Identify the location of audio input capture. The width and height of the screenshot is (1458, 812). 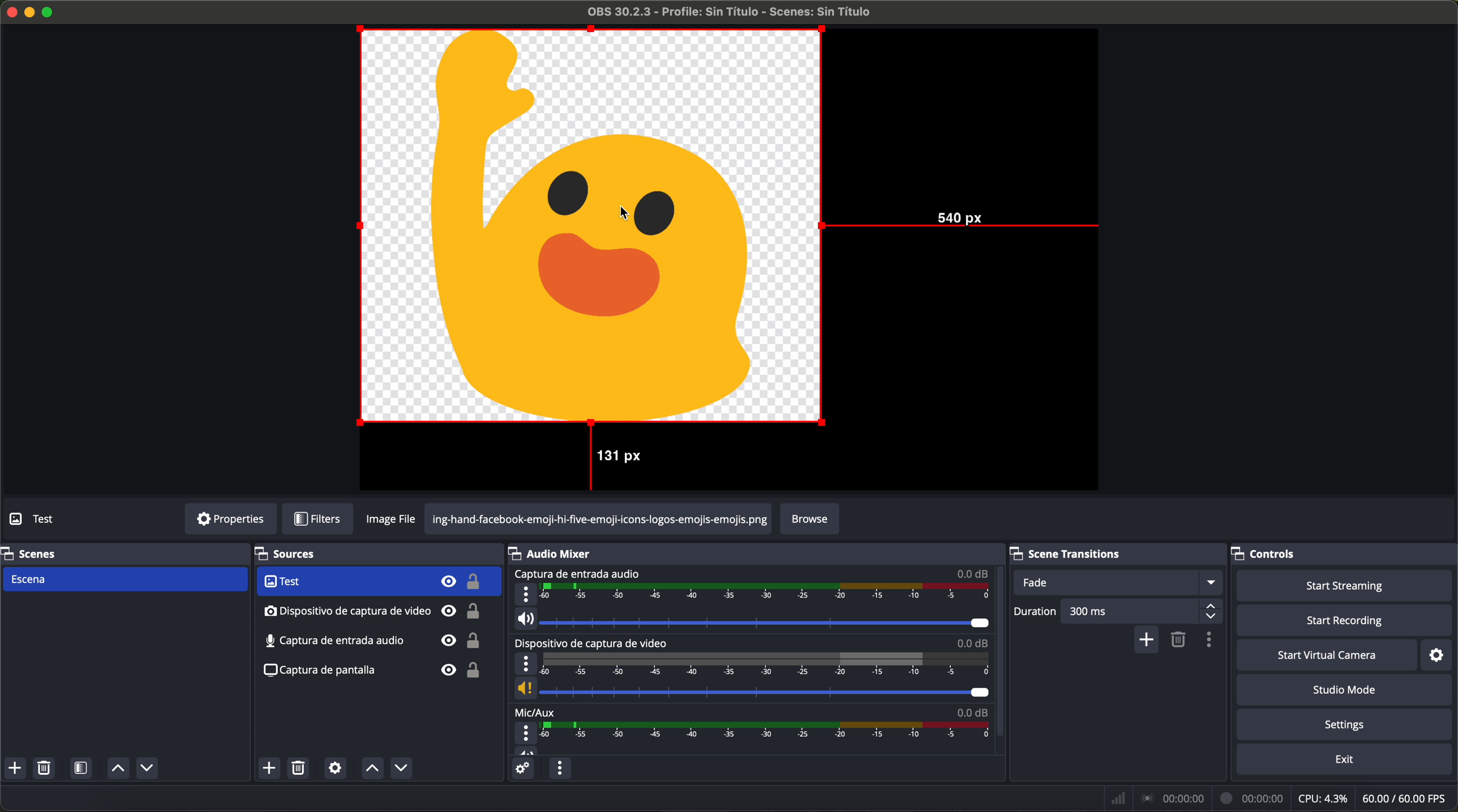
(373, 611).